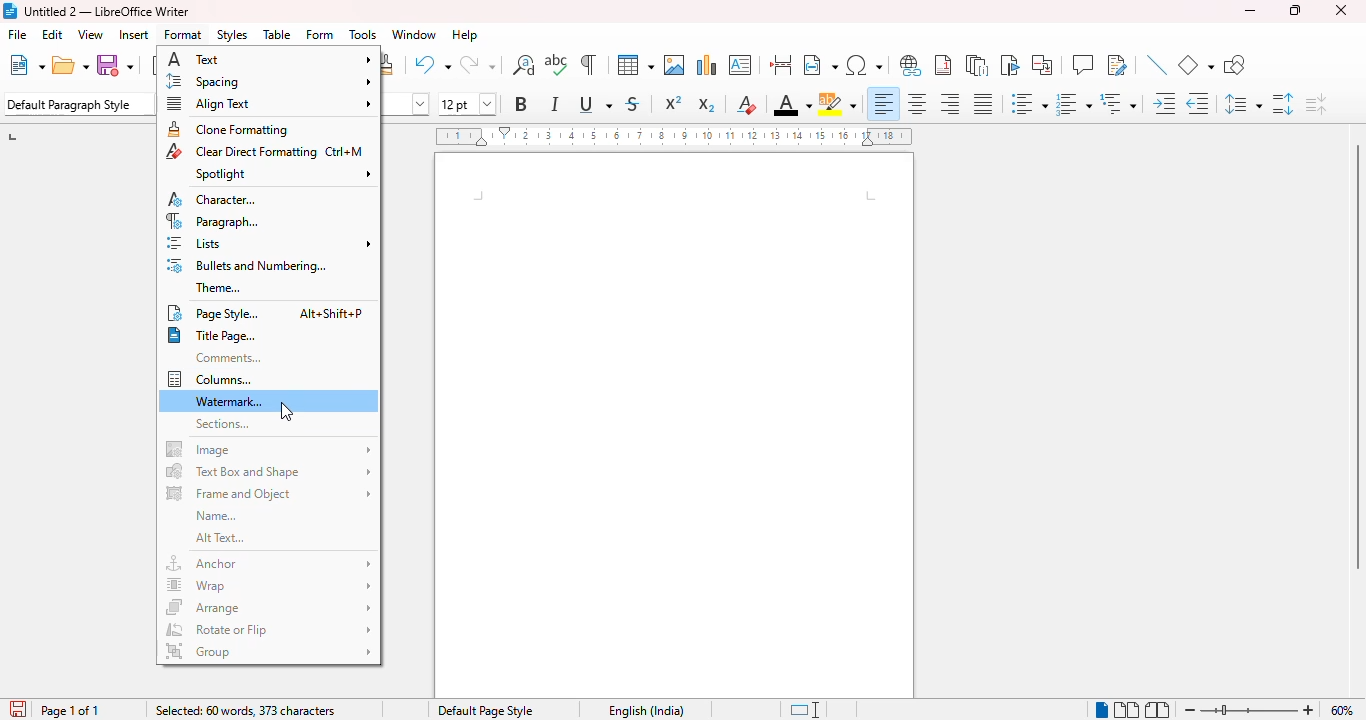 Image resolution: width=1366 pixels, height=720 pixels. Describe the element at coordinates (863, 65) in the screenshot. I see `insert special characters` at that location.